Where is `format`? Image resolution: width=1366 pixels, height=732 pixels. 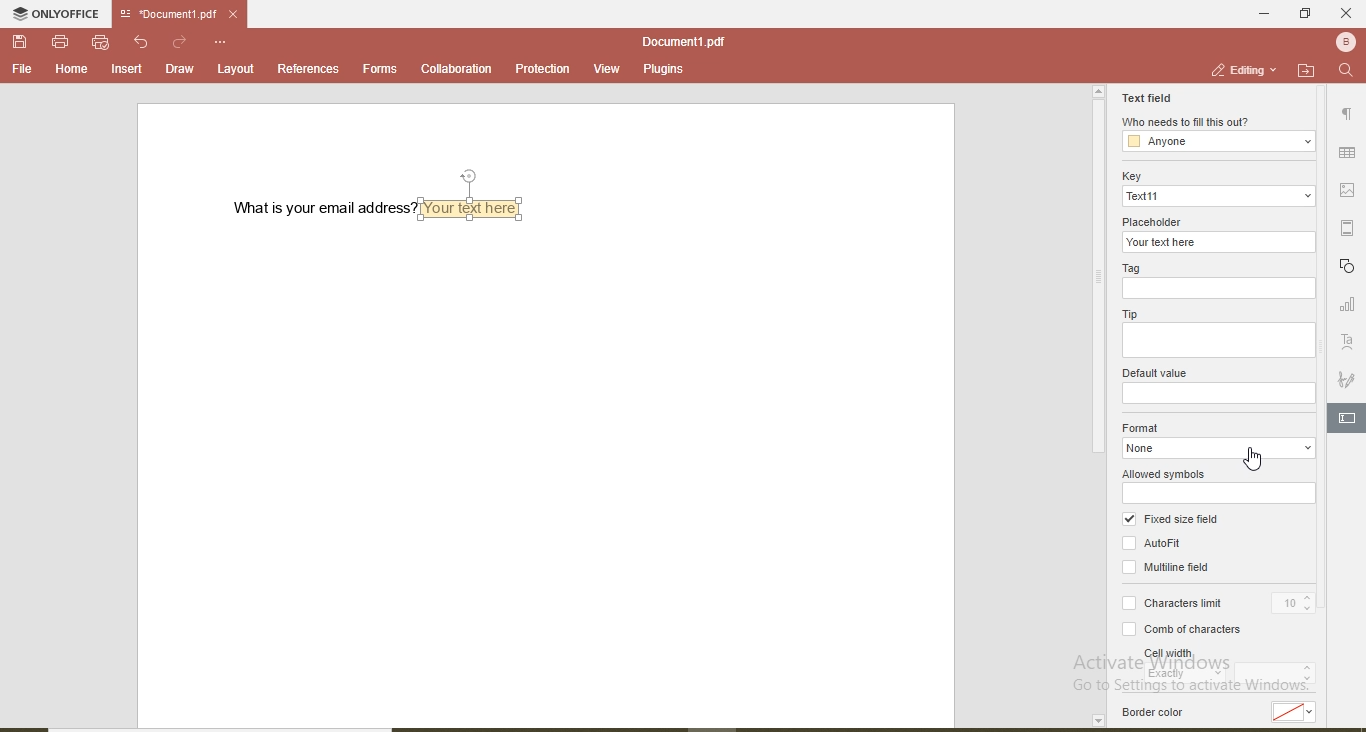
format is located at coordinates (1143, 426).